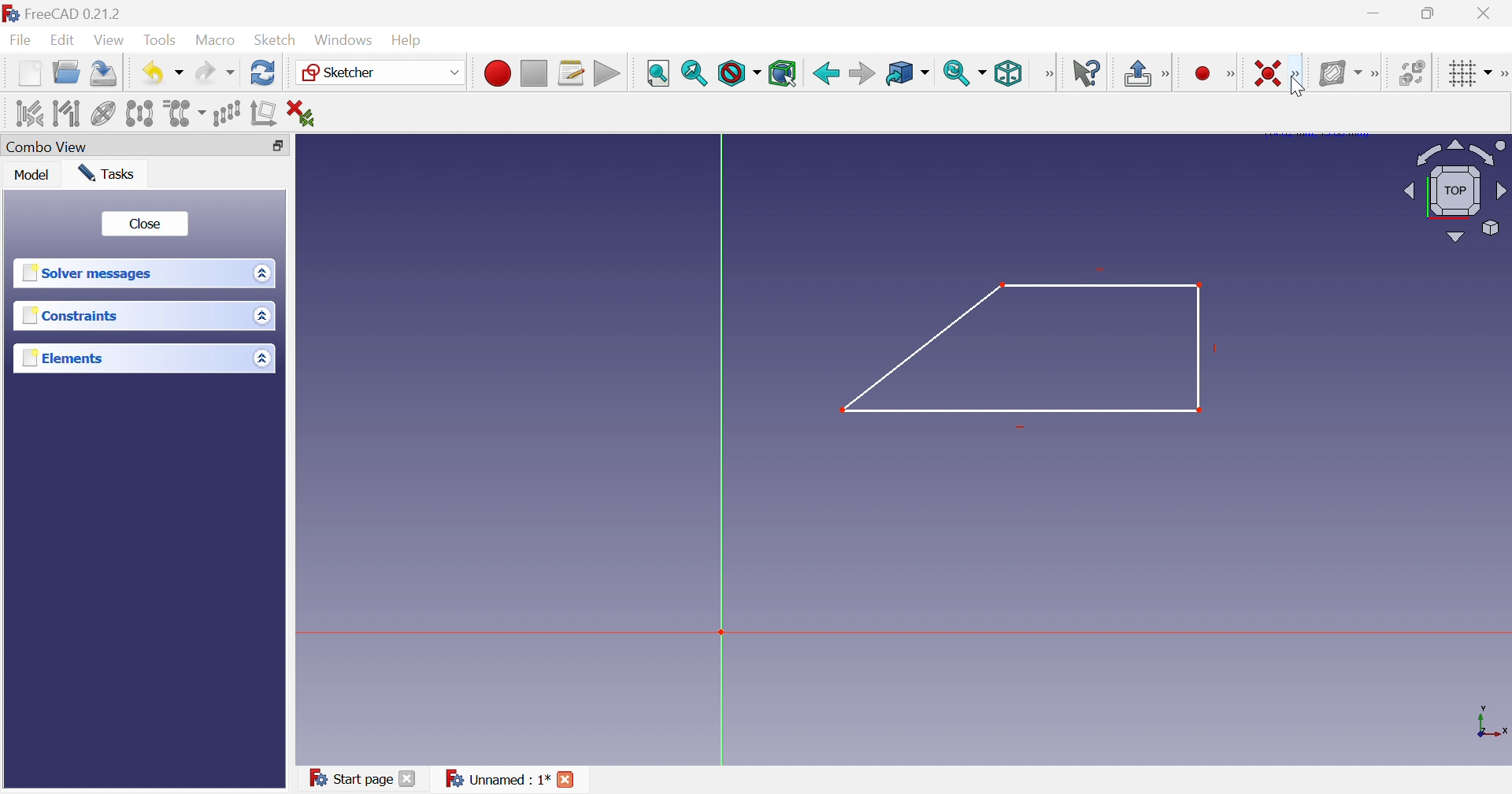 This screenshot has height=794, width=1512. I want to click on Redo, so click(213, 76).